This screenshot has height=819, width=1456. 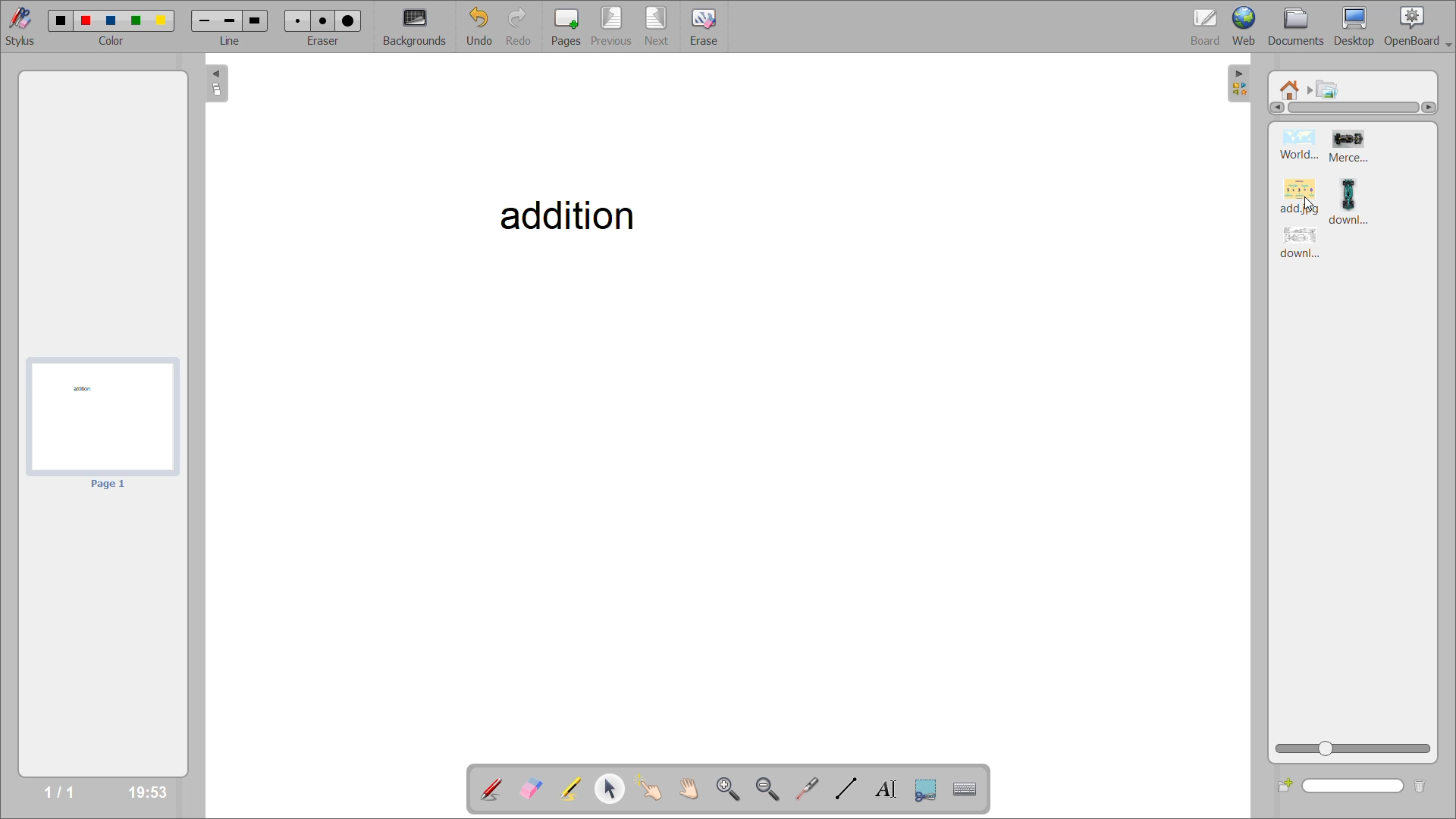 What do you see at coordinates (1423, 787) in the screenshot?
I see `delete` at bounding box center [1423, 787].